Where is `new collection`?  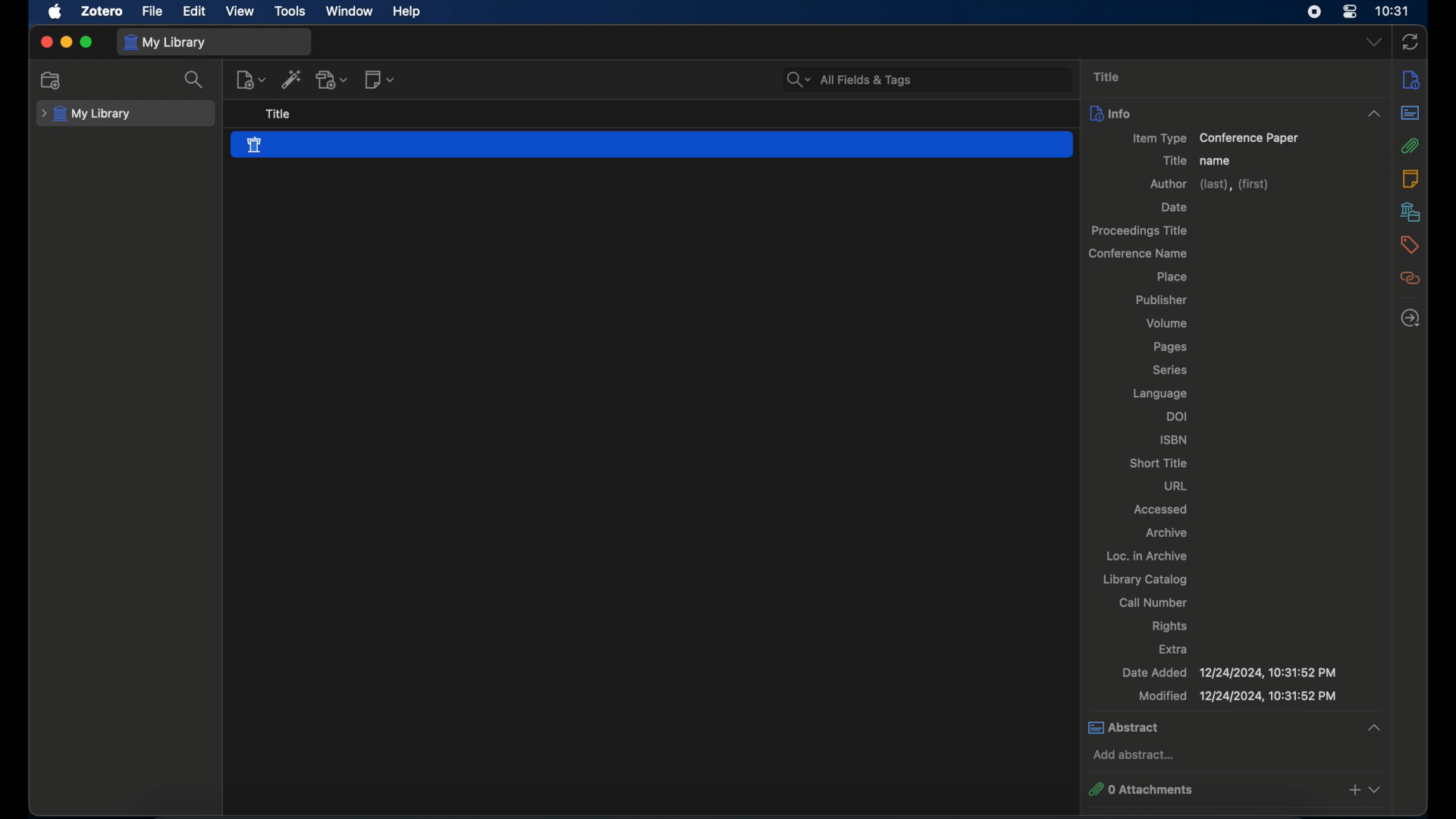 new collection is located at coordinates (52, 80).